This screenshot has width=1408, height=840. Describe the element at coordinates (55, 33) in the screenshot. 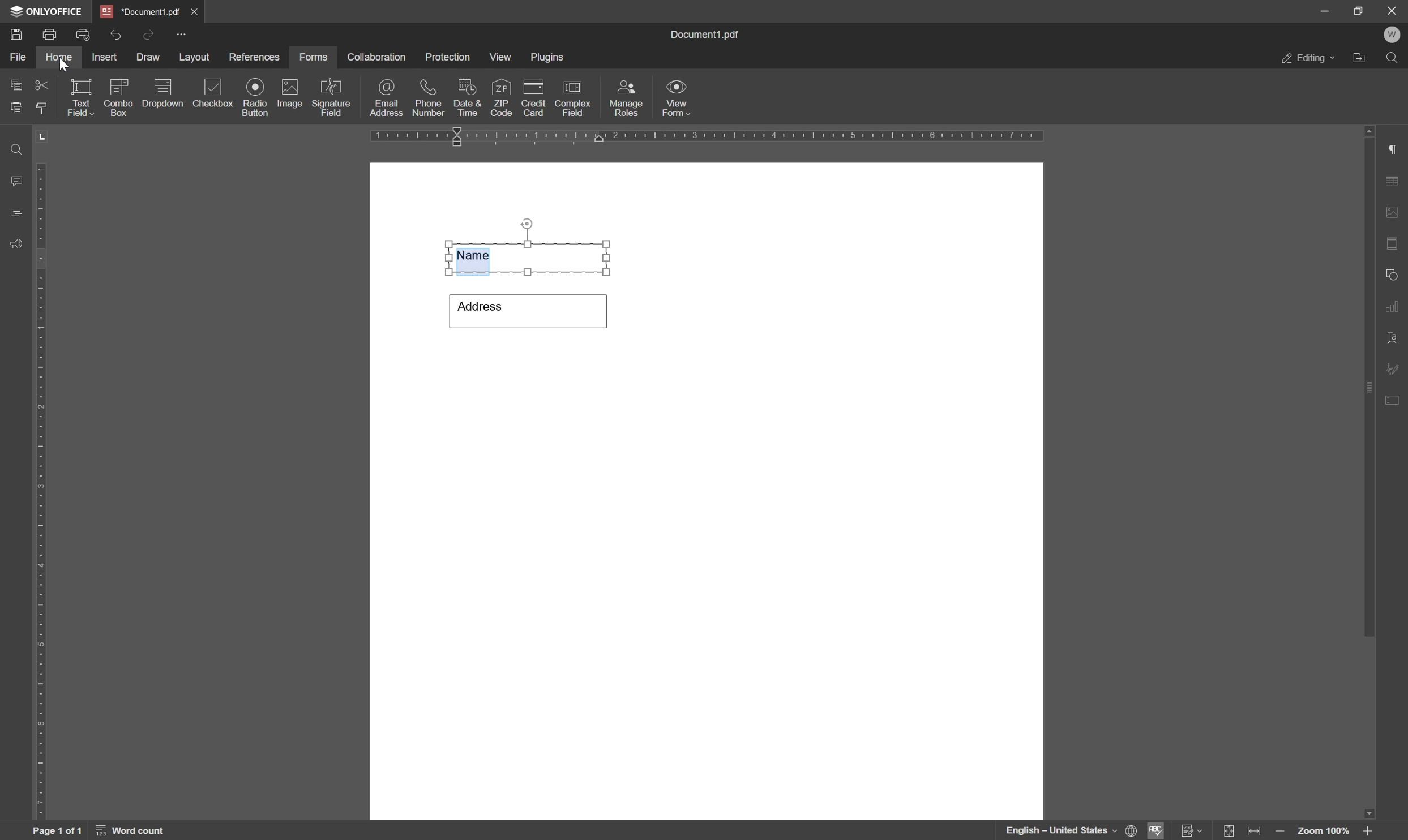

I see `print` at that location.